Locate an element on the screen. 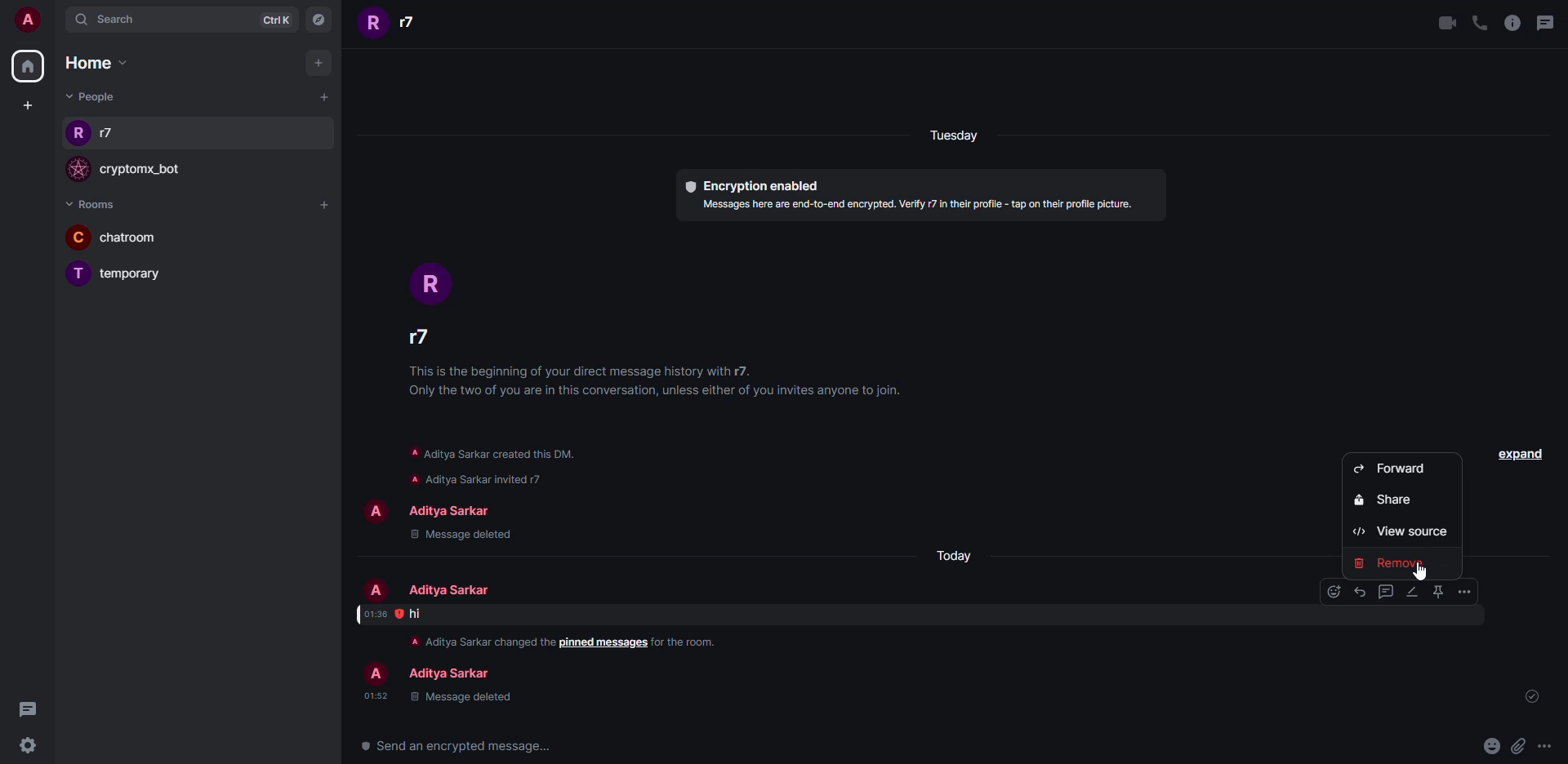 Image resolution: width=1568 pixels, height=764 pixels. share is located at coordinates (1390, 500).